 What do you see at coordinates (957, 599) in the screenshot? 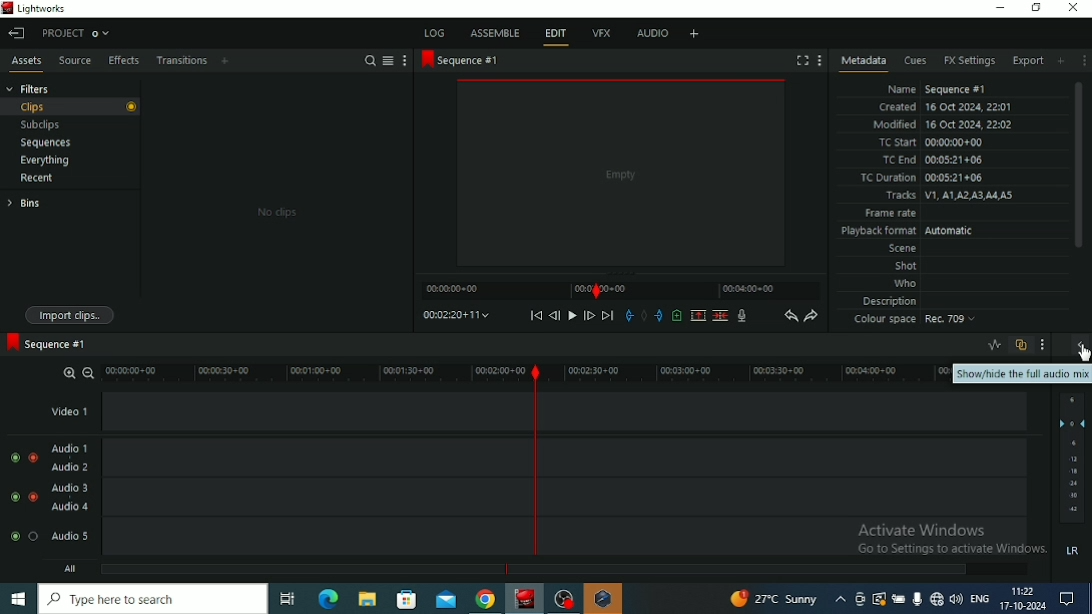
I see `Speakers` at bounding box center [957, 599].